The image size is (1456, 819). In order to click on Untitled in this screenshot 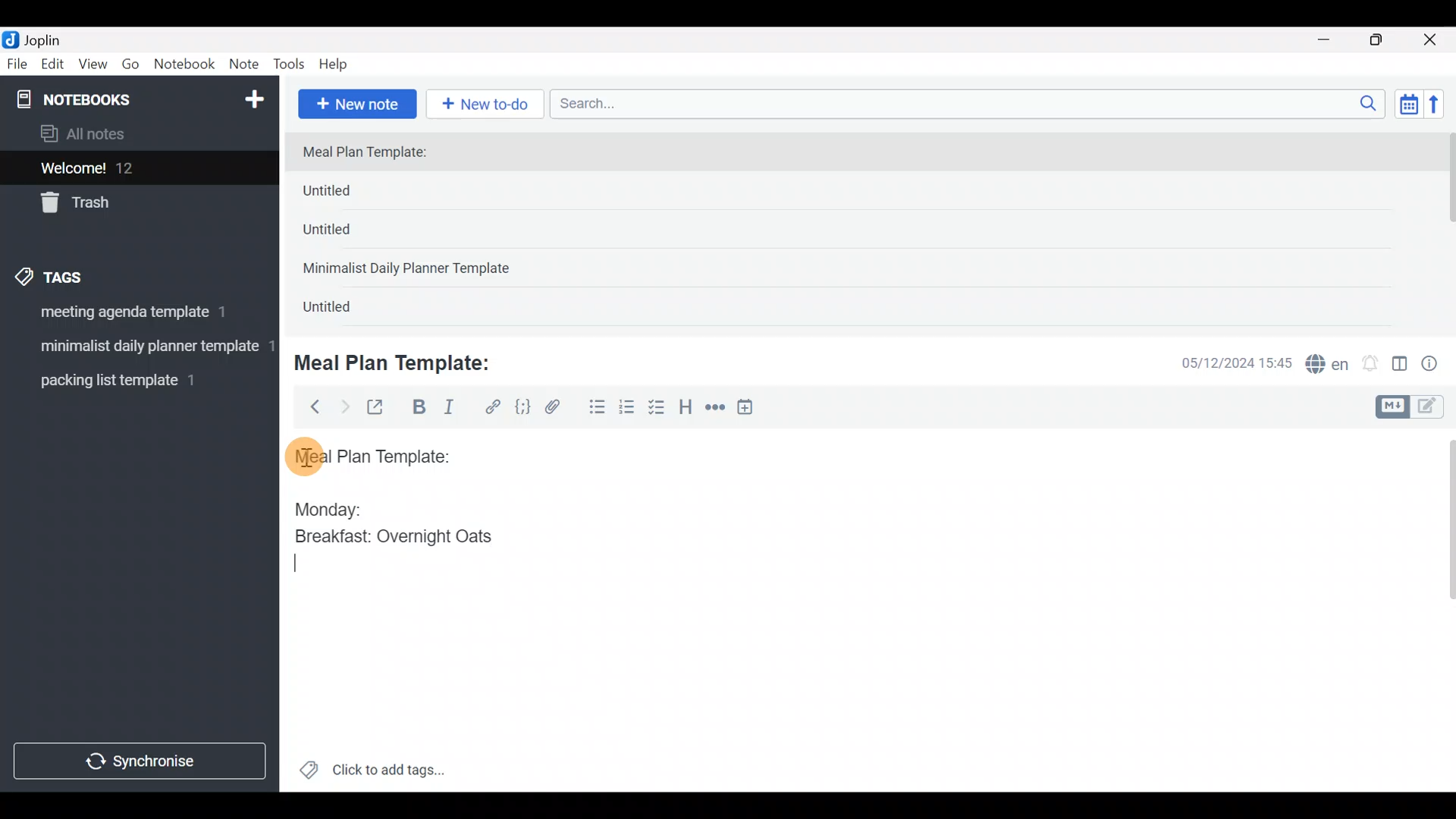, I will do `click(344, 310)`.